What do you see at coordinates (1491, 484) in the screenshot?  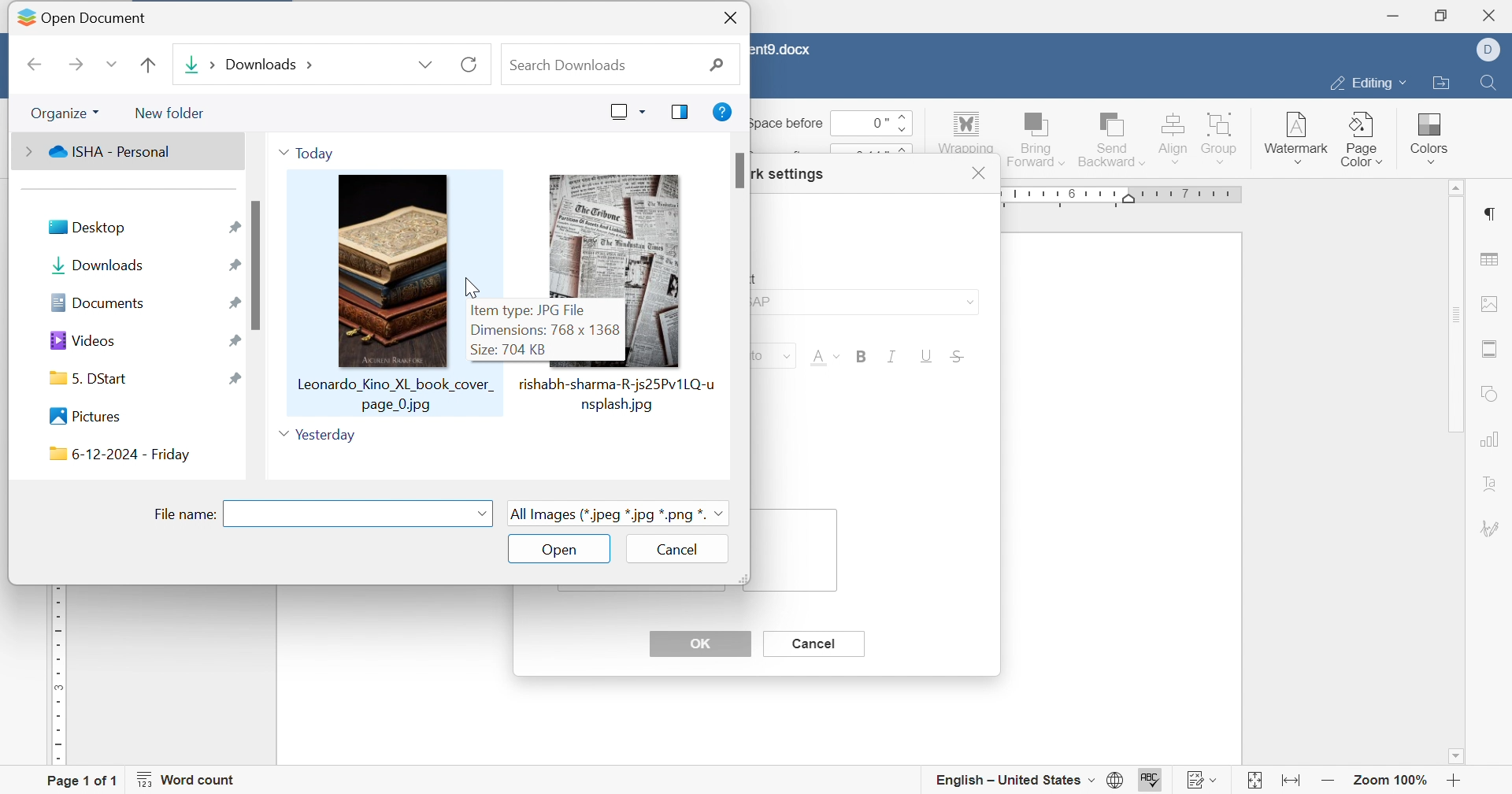 I see `text art settigns` at bounding box center [1491, 484].